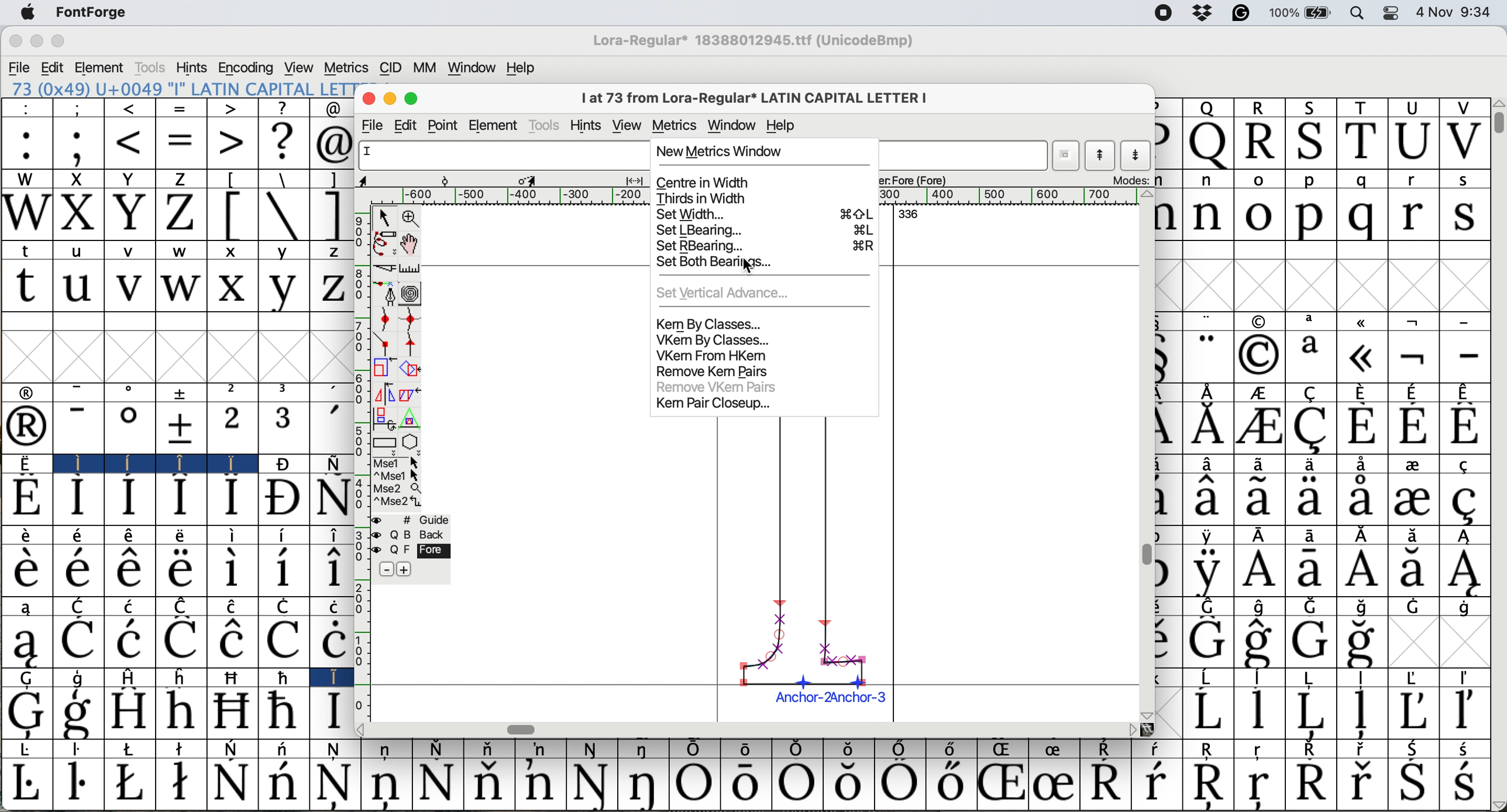 Image resolution: width=1507 pixels, height=812 pixels. What do you see at coordinates (713, 387) in the screenshot?
I see `remove vekm pairs` at bounding box center [713, 387].